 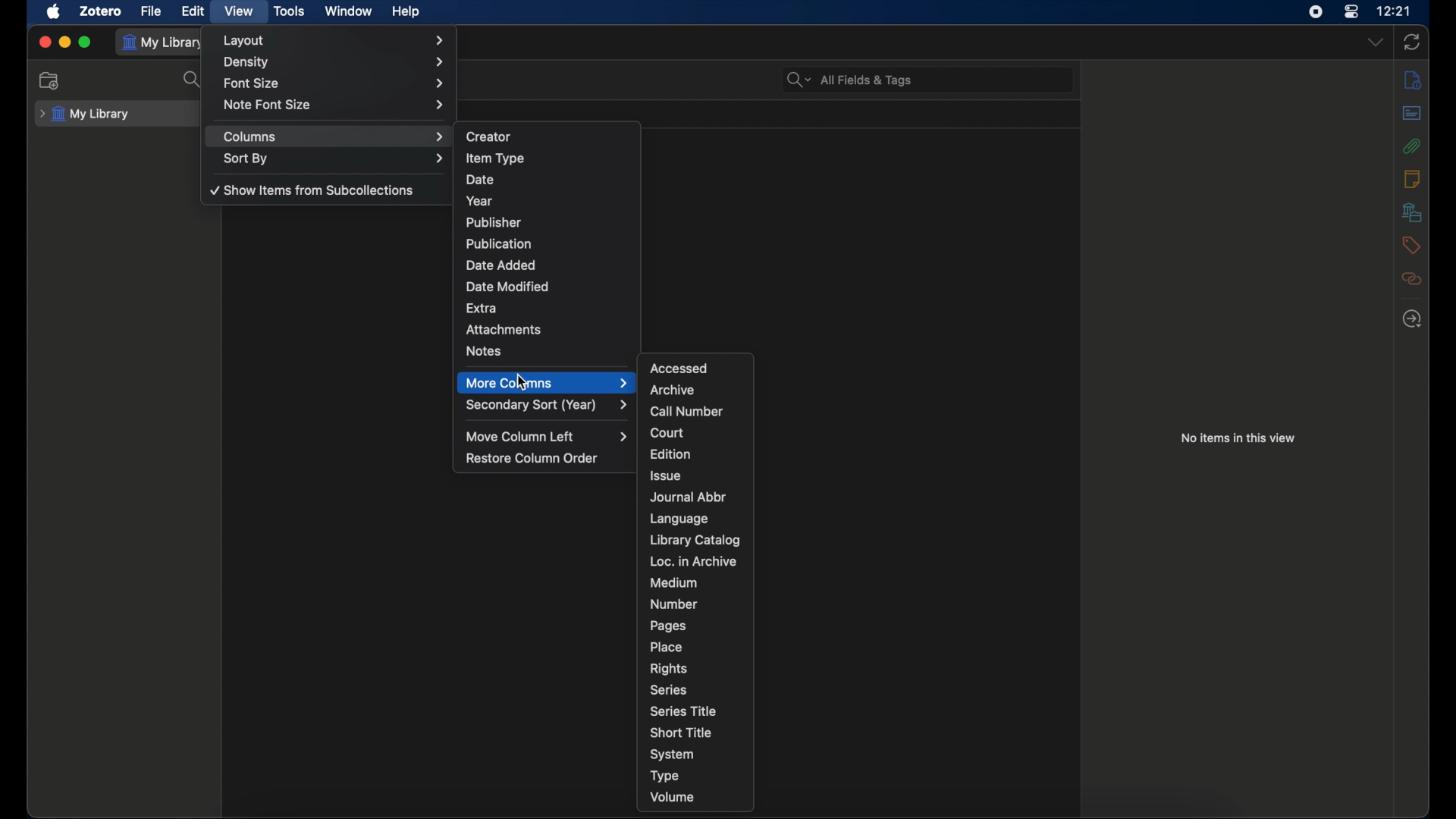 What do you see at coordinates (504, 329) in the screenshot?
I see `attachments` at bounding box center [504, 329].